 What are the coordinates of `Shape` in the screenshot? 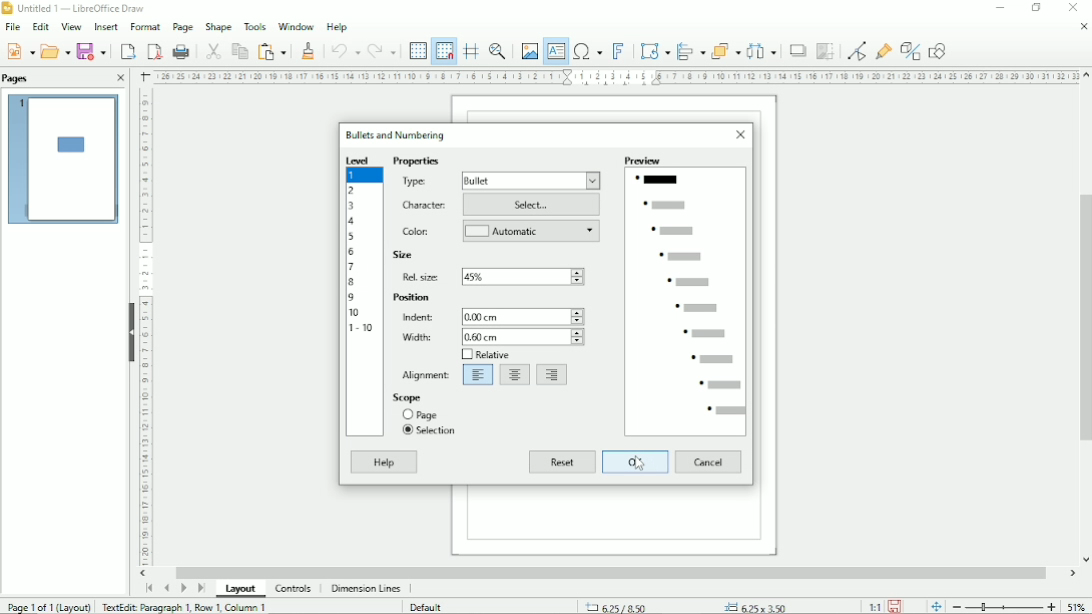 It's located at (217, 26).